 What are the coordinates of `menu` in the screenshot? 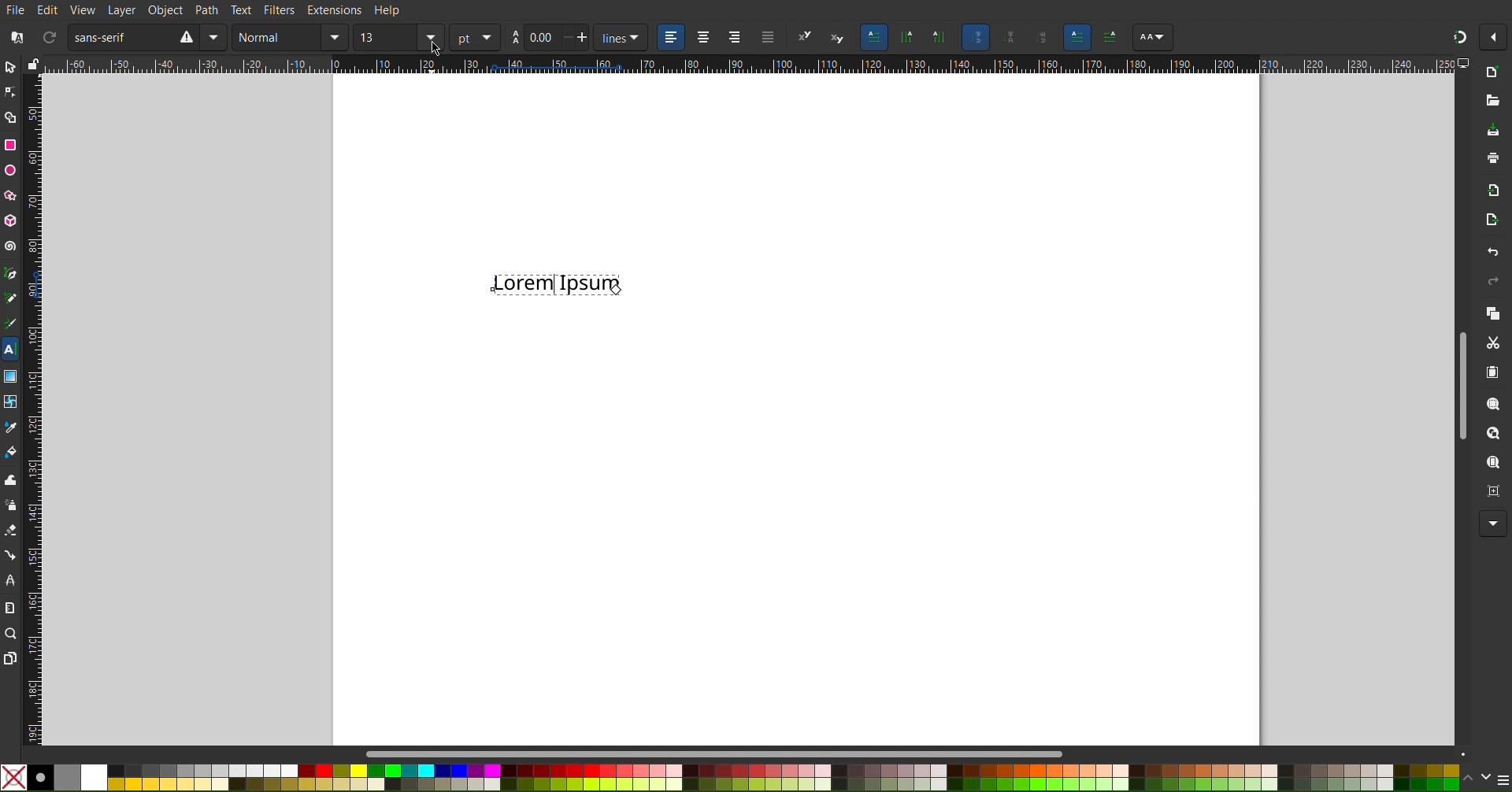 It's located at (1503, 779).